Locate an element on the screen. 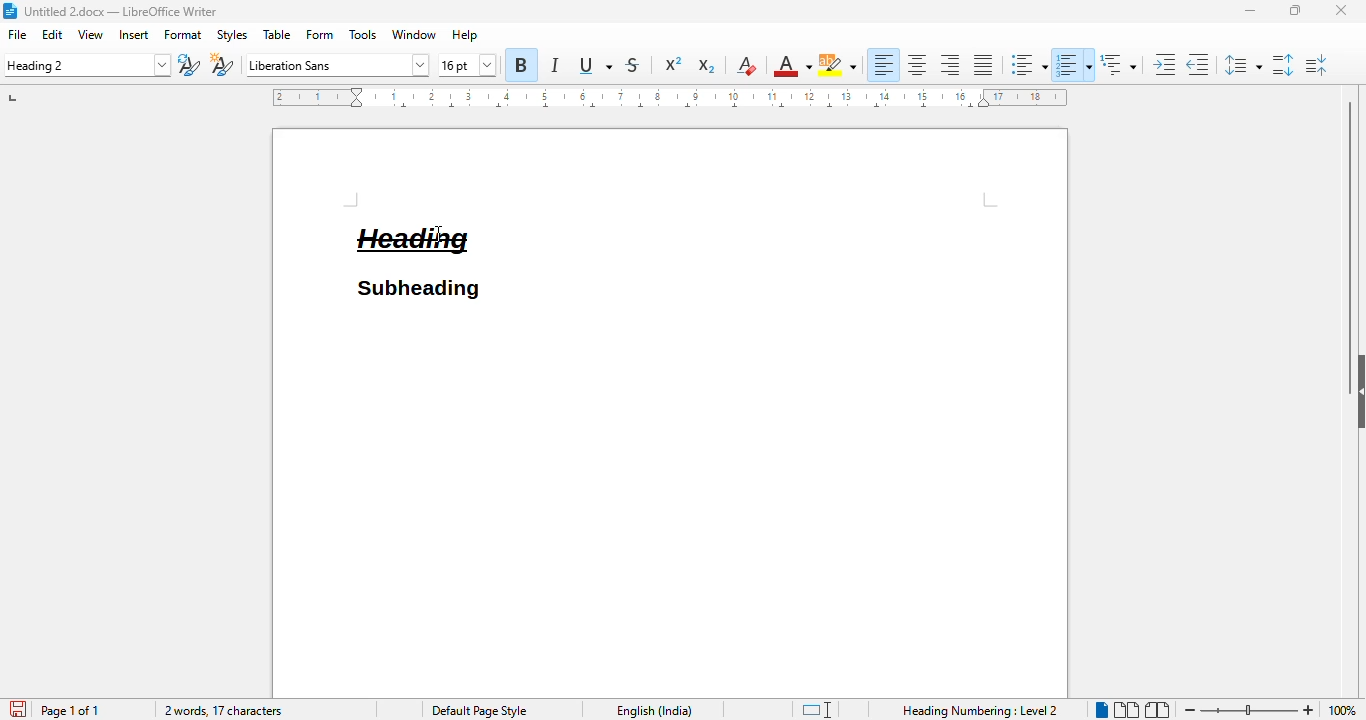  vertical scroll bar is located at coordinates (1347, 217).